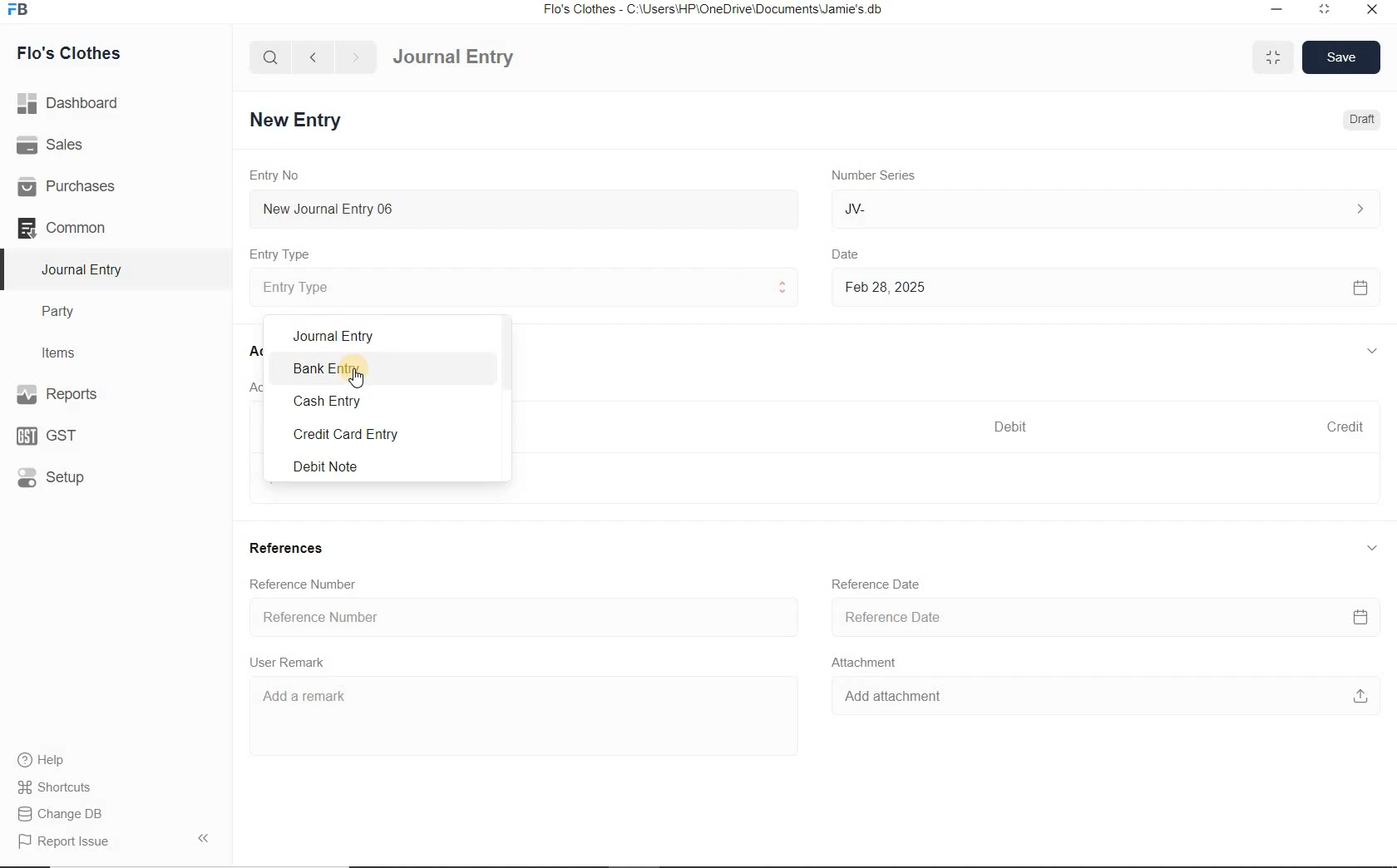  I want to click on GST, so click(54, 434).